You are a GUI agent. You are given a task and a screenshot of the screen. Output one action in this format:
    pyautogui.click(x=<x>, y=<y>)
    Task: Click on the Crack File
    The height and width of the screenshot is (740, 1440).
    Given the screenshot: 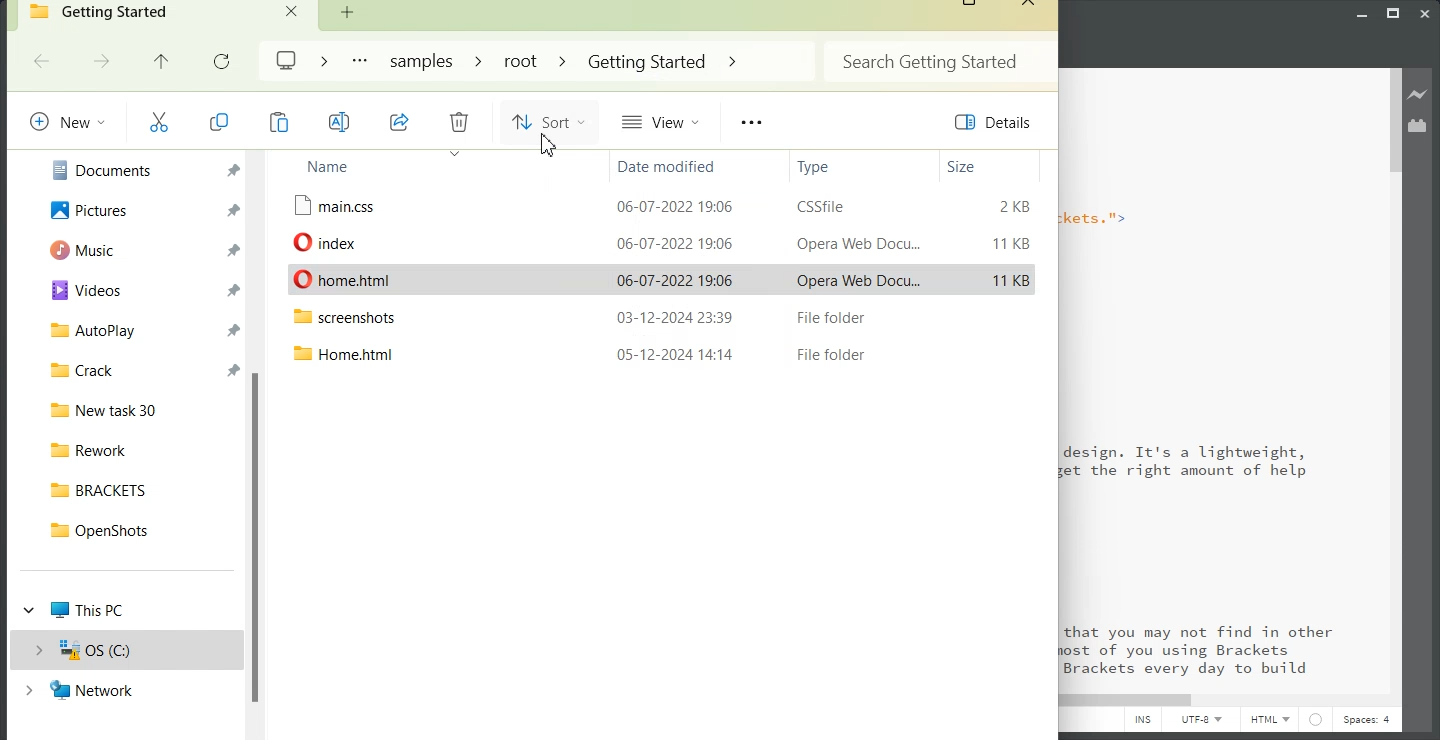 What is the action you would take?
    pyautogui.click(x=138, y=370)
    